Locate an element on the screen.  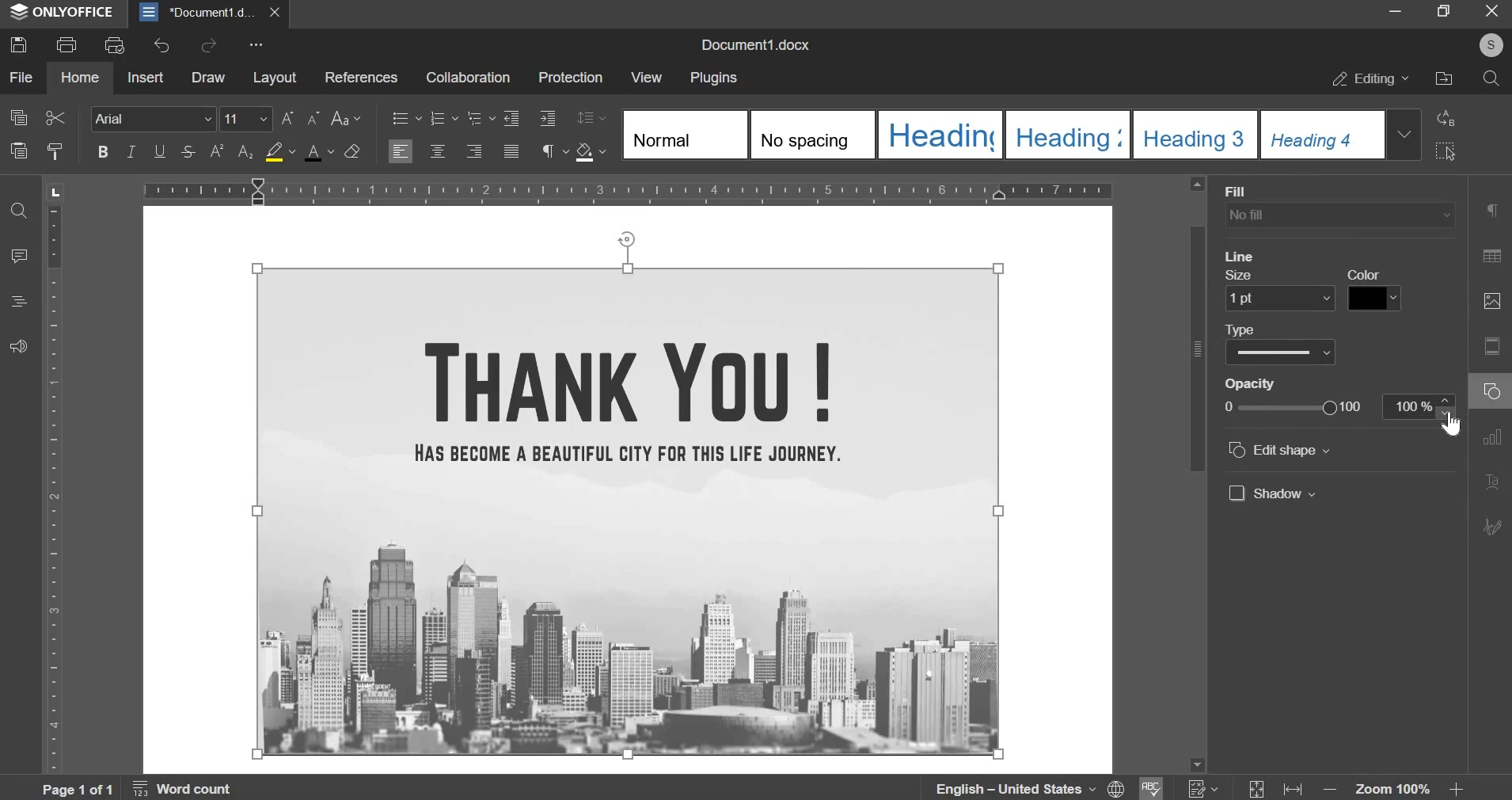
clear style is located at coordinates (352, 152).